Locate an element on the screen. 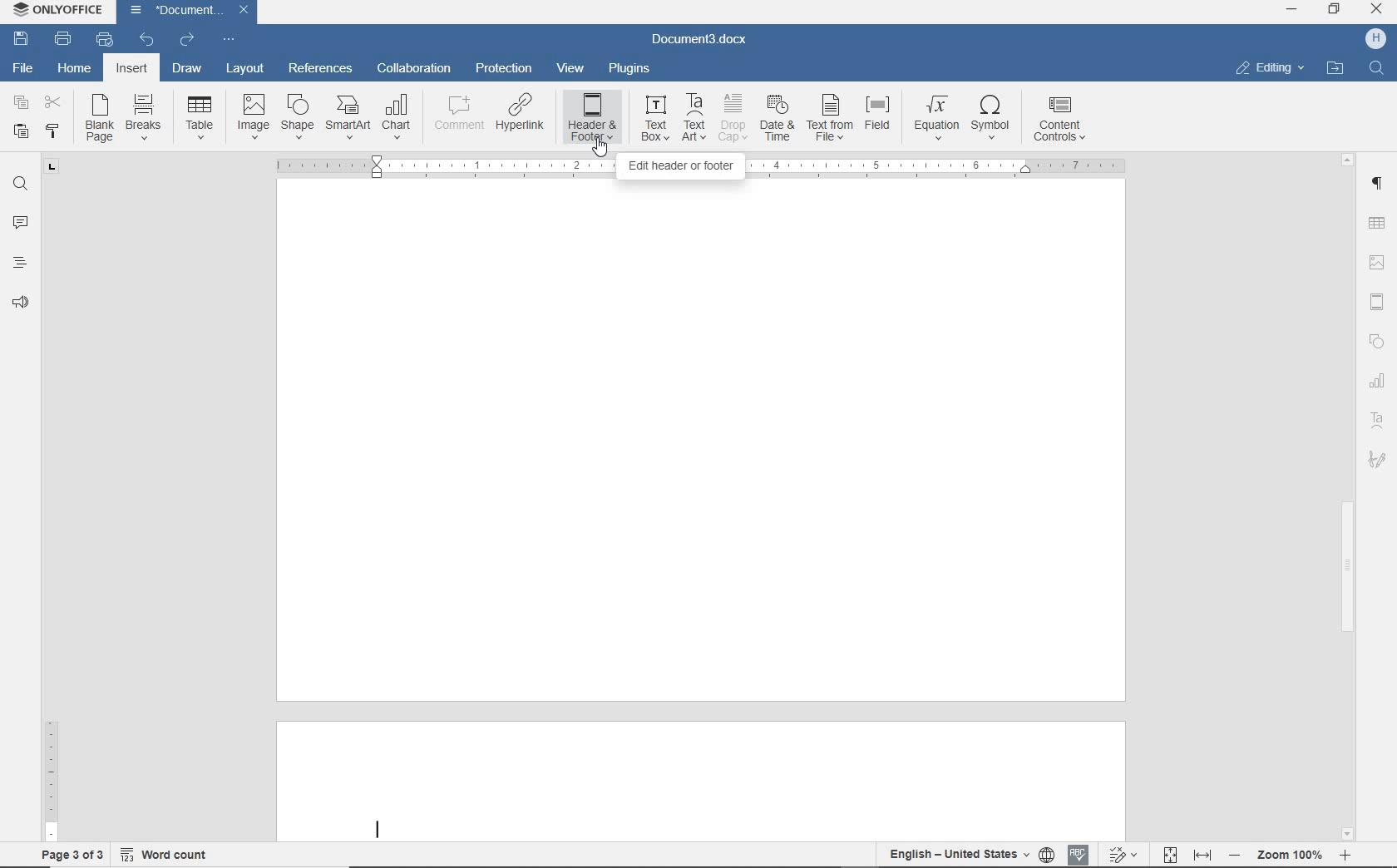 This screenshot has height=868, width=1397. cursor is located at coordinates (599, 150).